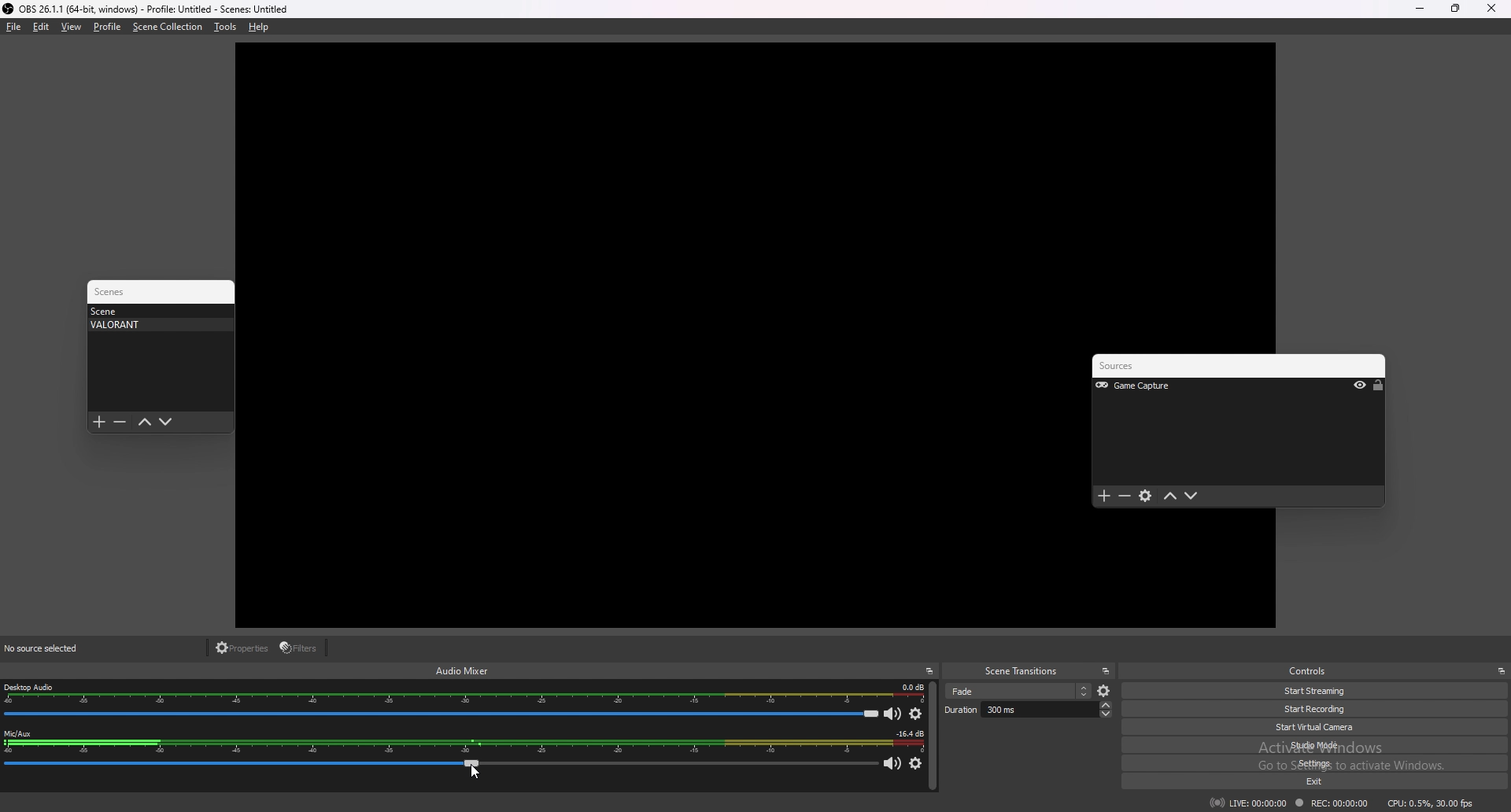 The image size is (1511, 812). What do you see at coordinates (1154, 386) in the screenshot?
I see `Game Capture` at bounding box center [1154, 386].